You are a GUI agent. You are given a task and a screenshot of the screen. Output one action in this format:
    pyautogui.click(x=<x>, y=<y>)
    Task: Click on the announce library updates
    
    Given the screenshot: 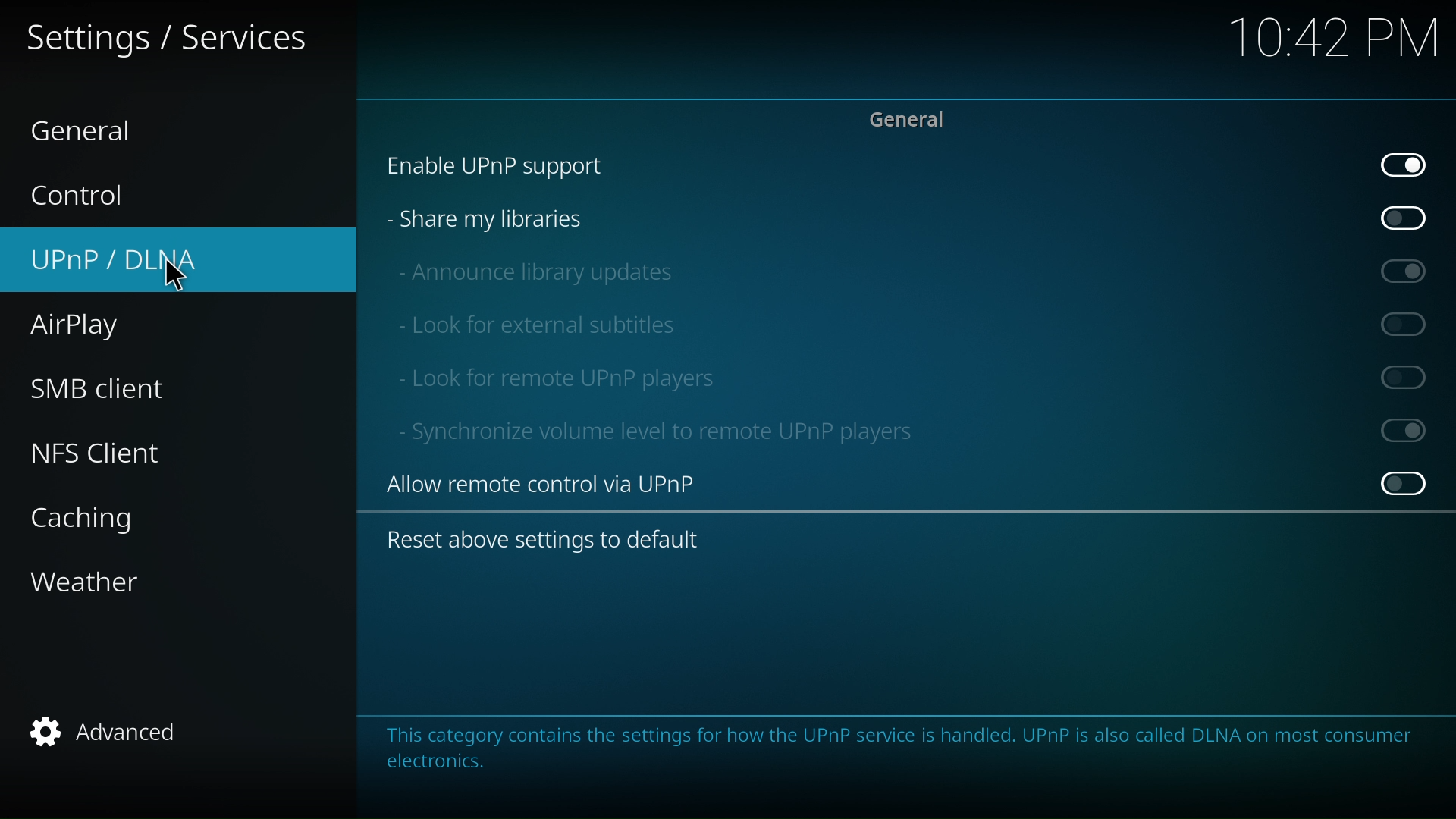 What is the action you would take?
    pyautogui.click(x=915, y=268)
    